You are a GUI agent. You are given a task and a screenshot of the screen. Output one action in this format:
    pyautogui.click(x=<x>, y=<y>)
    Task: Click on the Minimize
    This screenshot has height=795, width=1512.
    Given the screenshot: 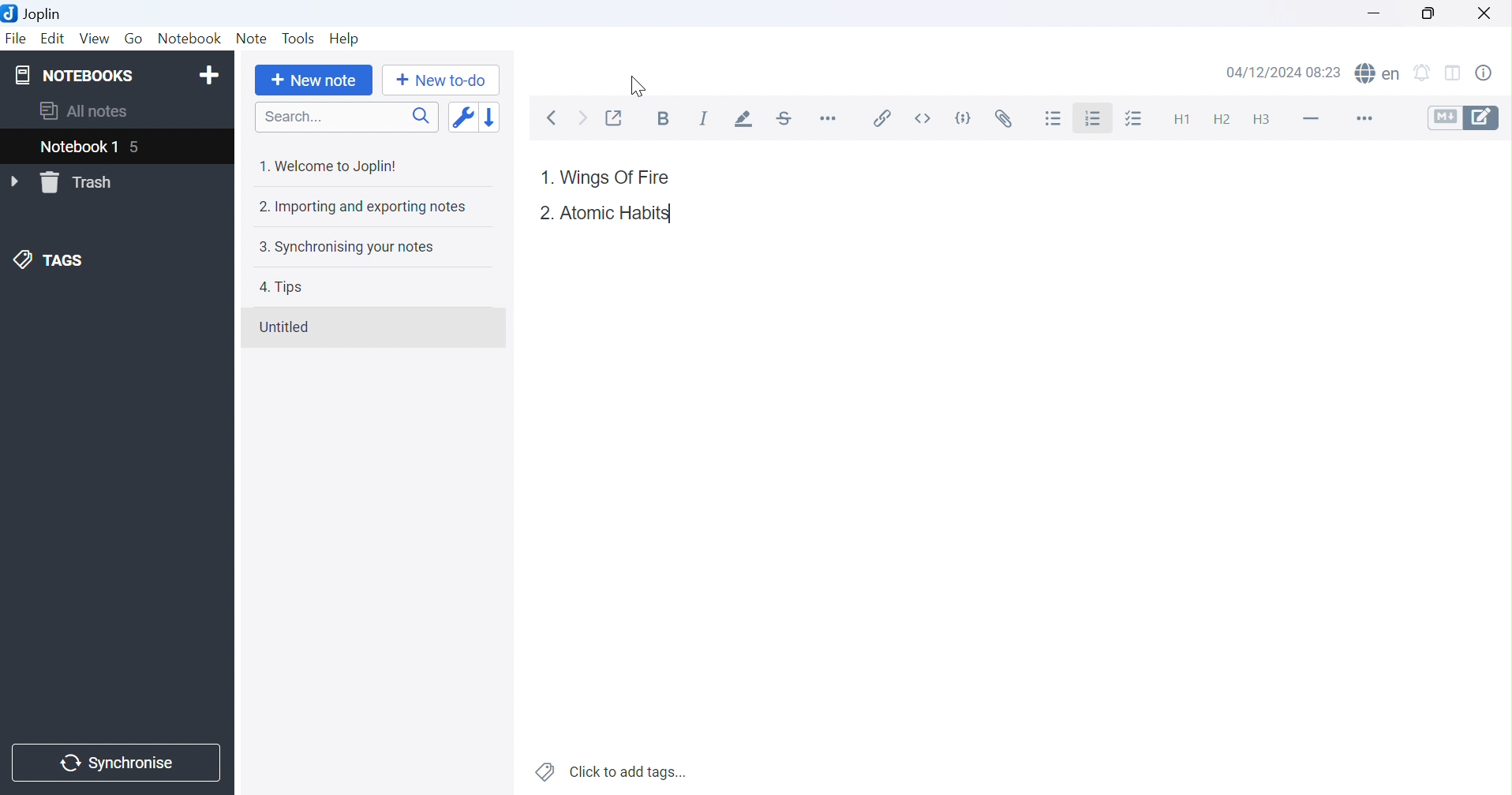 What is the action you would take?
    pyautogui.click(x=1375, y=13)
    